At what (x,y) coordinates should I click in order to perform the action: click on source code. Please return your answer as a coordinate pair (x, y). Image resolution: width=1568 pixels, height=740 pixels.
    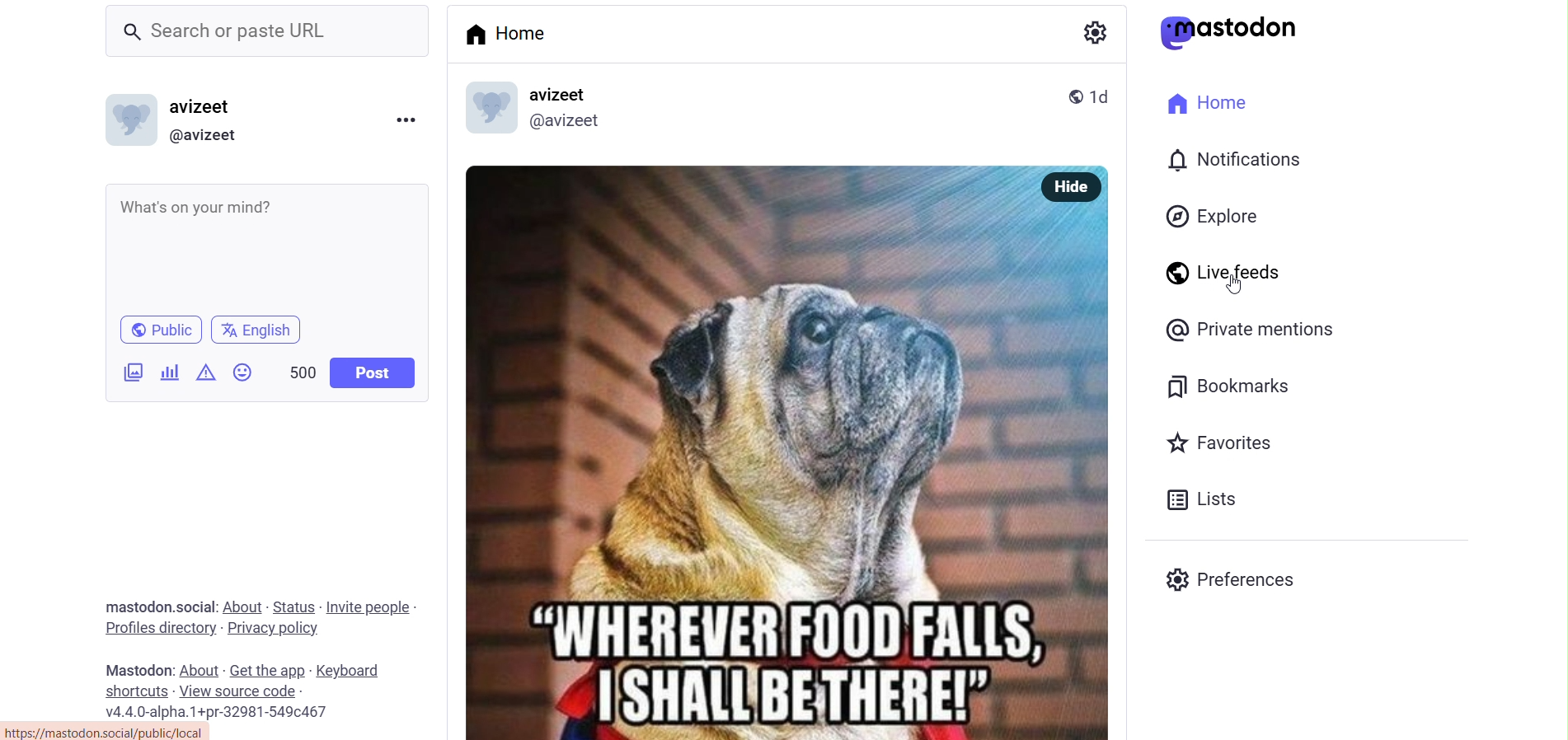
    Looking at the image, I should click on (238, 692).